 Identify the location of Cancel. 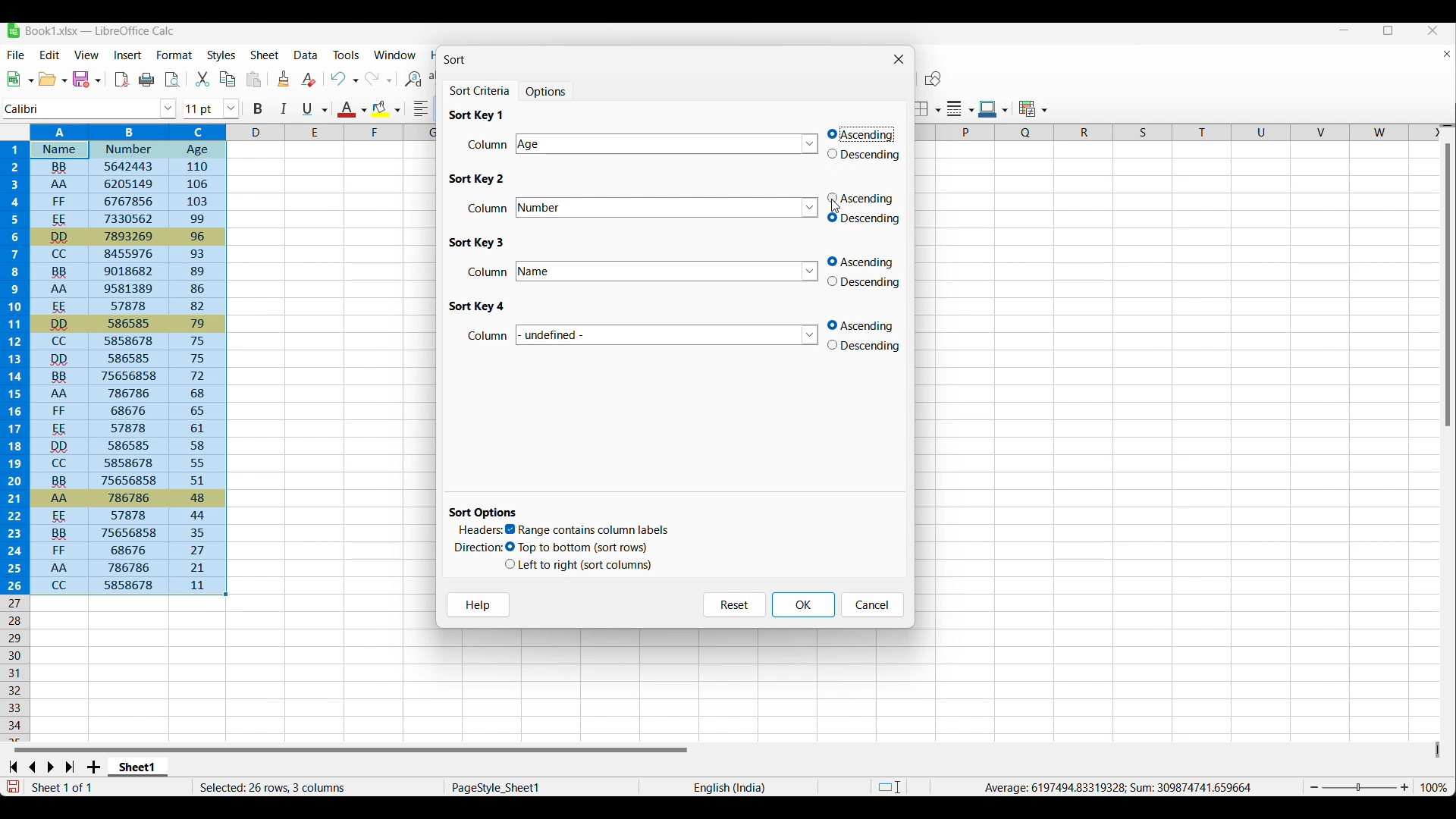
(873, 605).